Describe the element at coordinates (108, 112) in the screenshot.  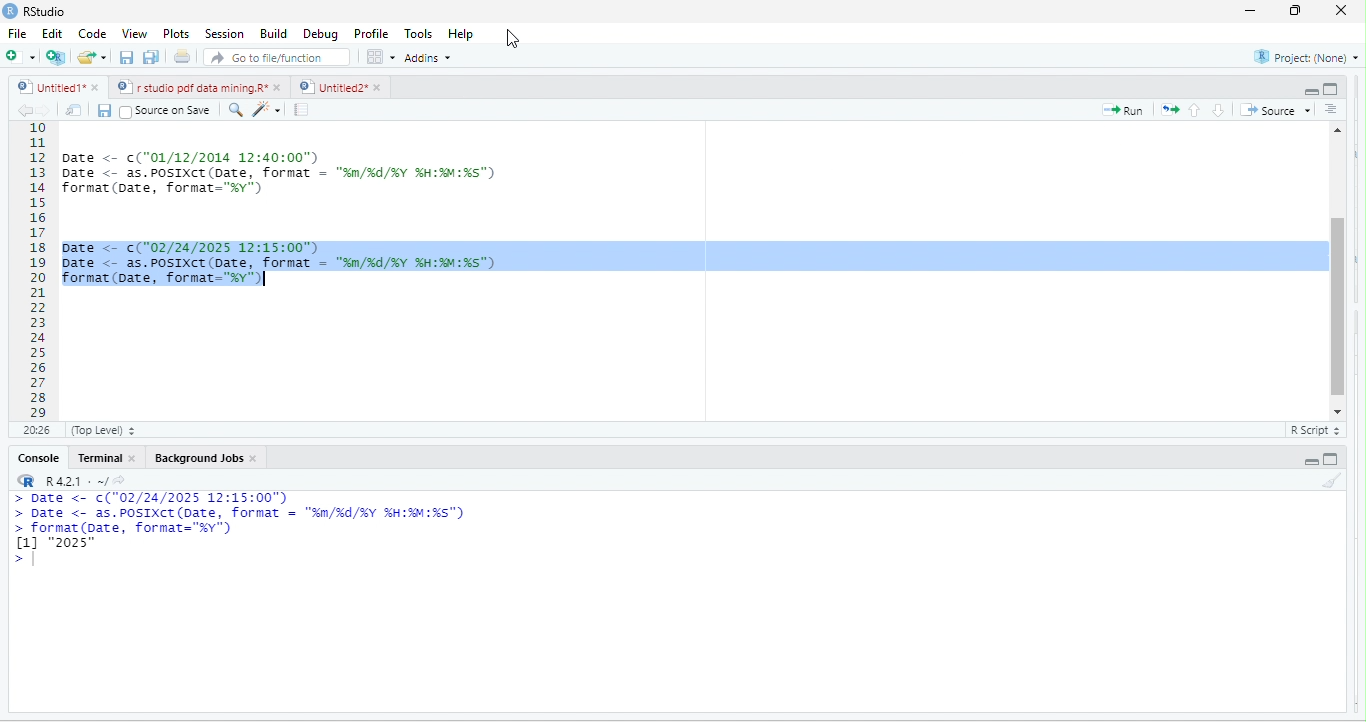
I see `save current document` at that location.